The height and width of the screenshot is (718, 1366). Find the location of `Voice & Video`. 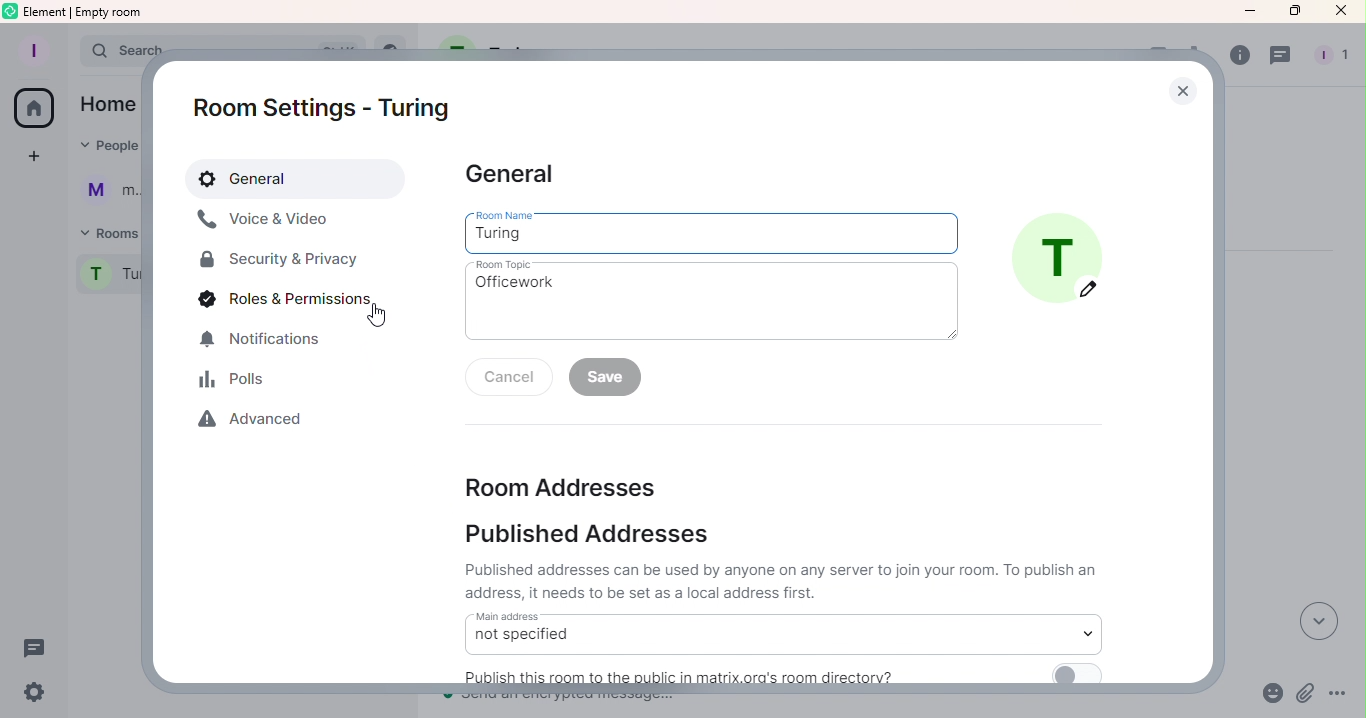

Voice & Video is located at coordinates (287, 219).